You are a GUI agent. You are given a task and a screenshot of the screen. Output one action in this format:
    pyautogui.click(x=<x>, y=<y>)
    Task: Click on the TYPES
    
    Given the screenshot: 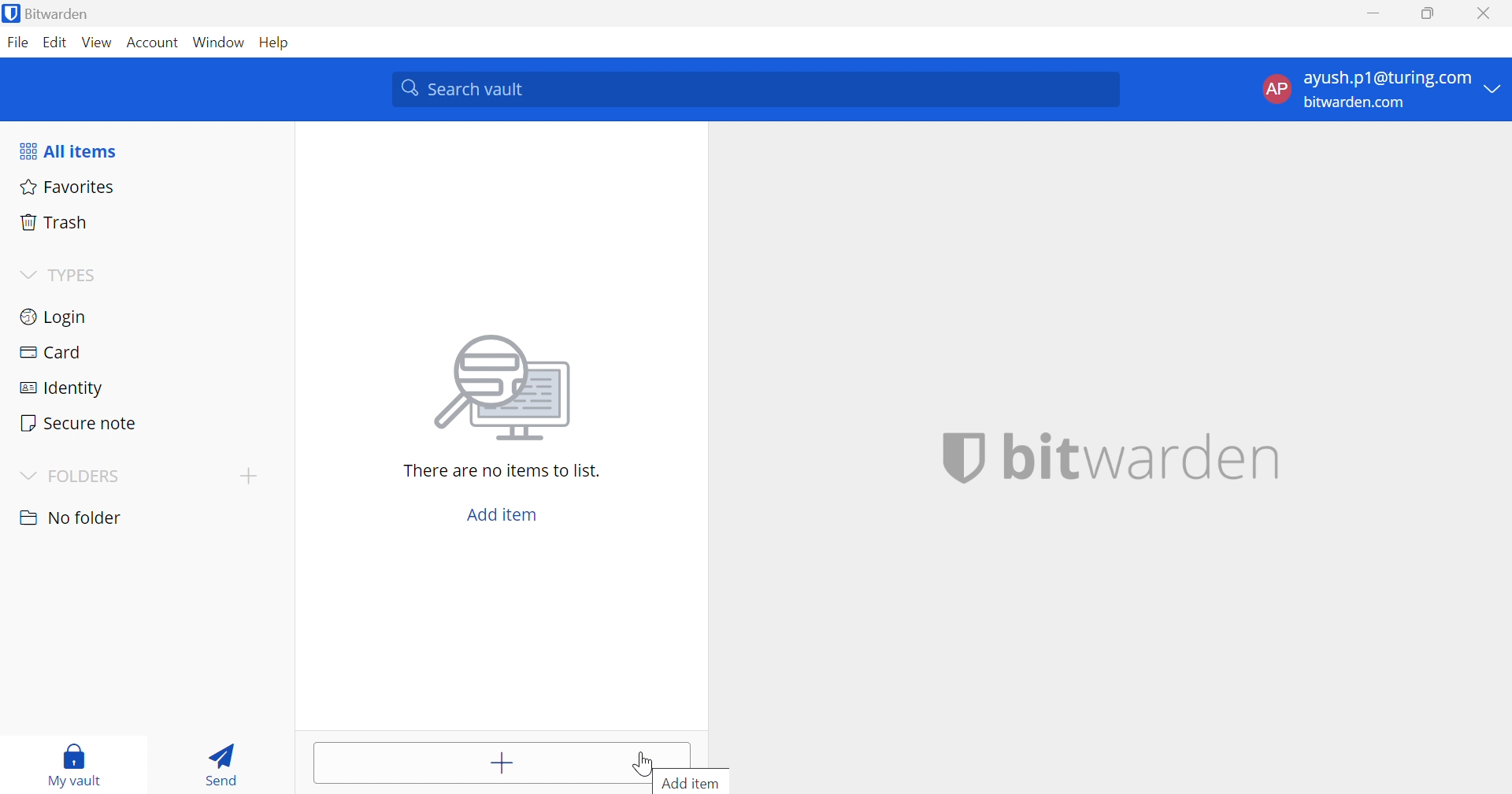 What is the action you would take?
    pyautogui.click(x=74, y=274)
    